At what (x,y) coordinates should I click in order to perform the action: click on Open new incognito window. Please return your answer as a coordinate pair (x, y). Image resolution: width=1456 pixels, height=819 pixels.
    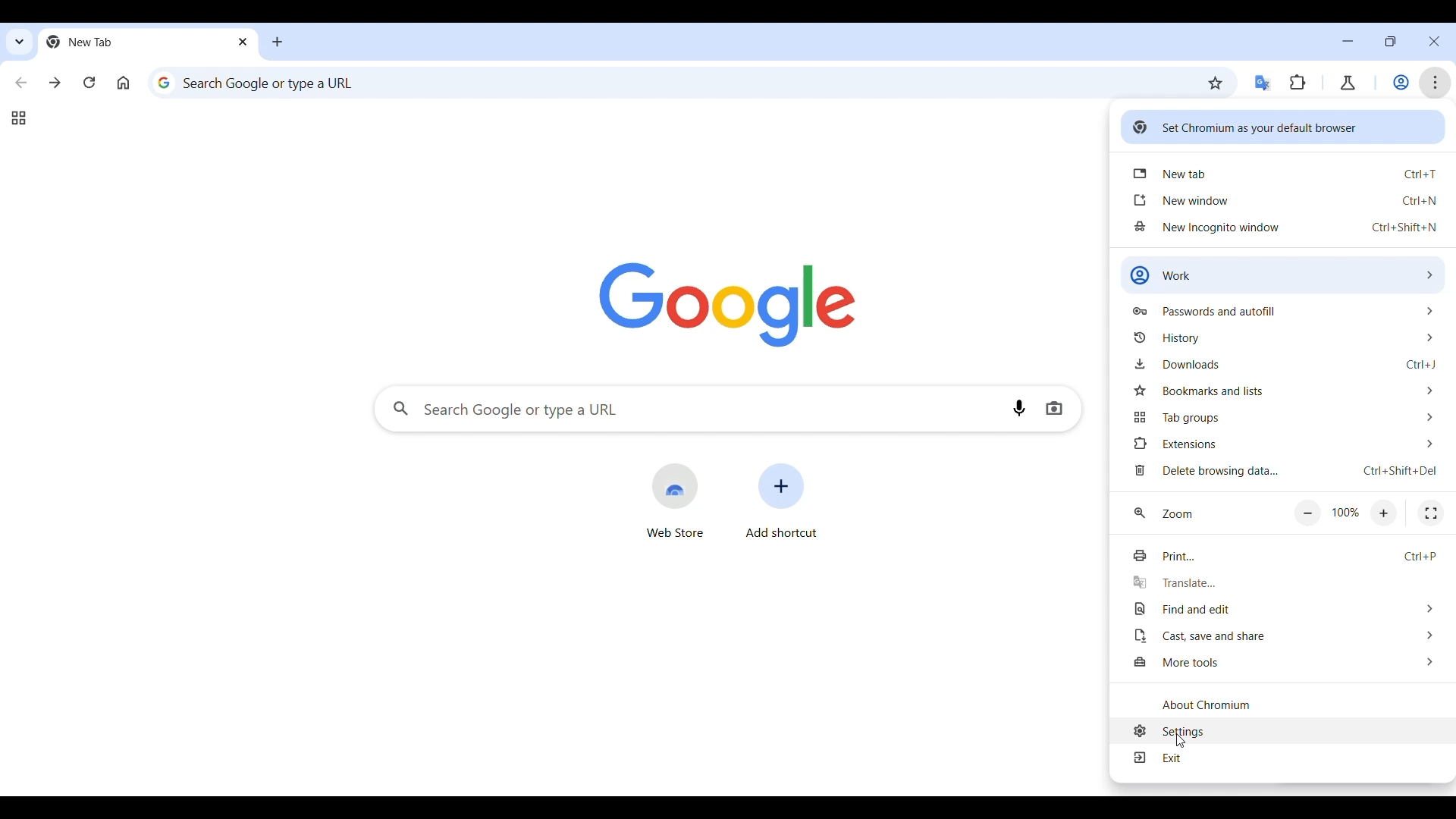
    Looking at the image, I should click on (1283, 227).